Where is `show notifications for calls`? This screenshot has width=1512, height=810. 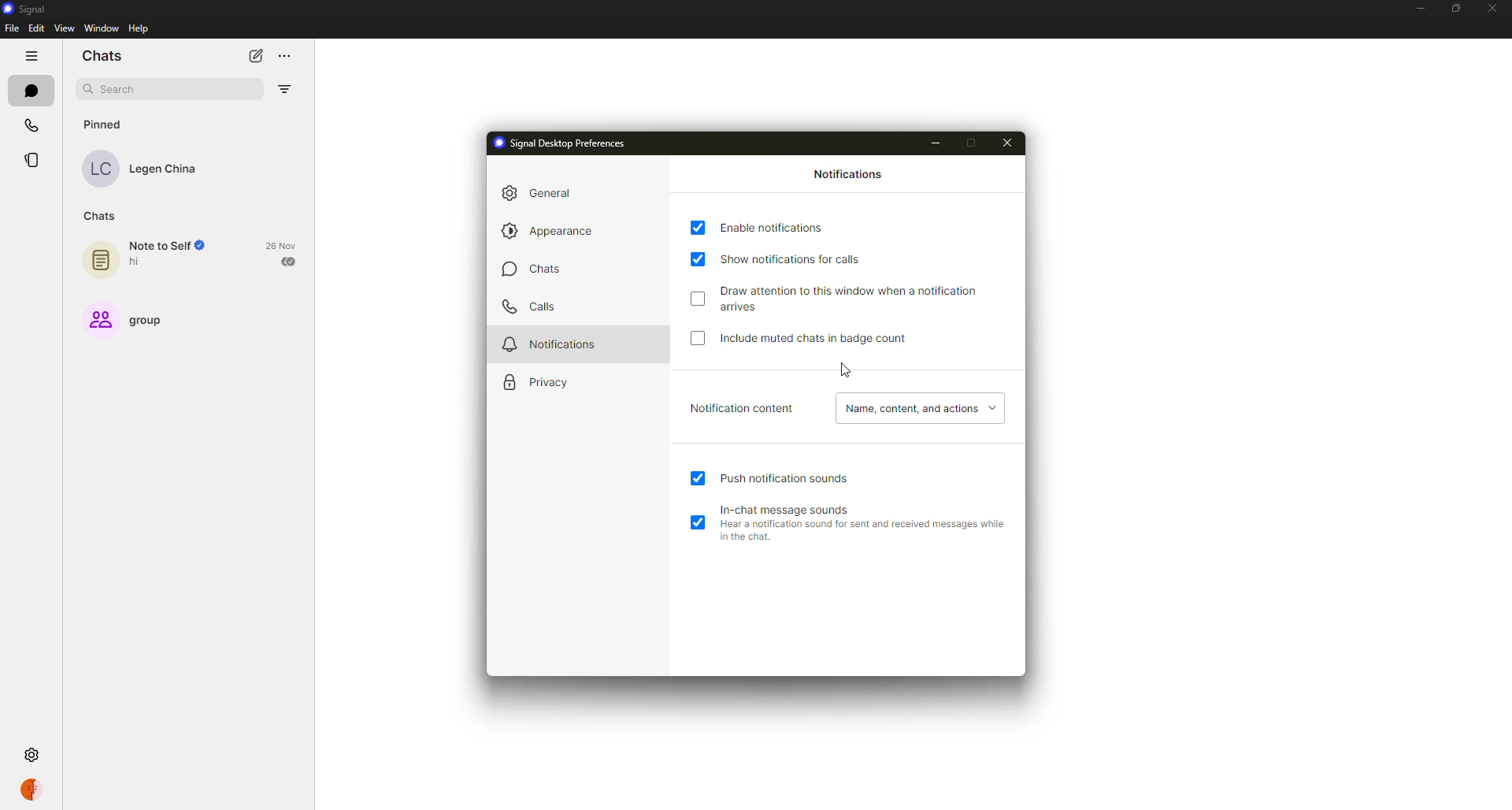
show notifications for calls is located at coordinates (799, 258).